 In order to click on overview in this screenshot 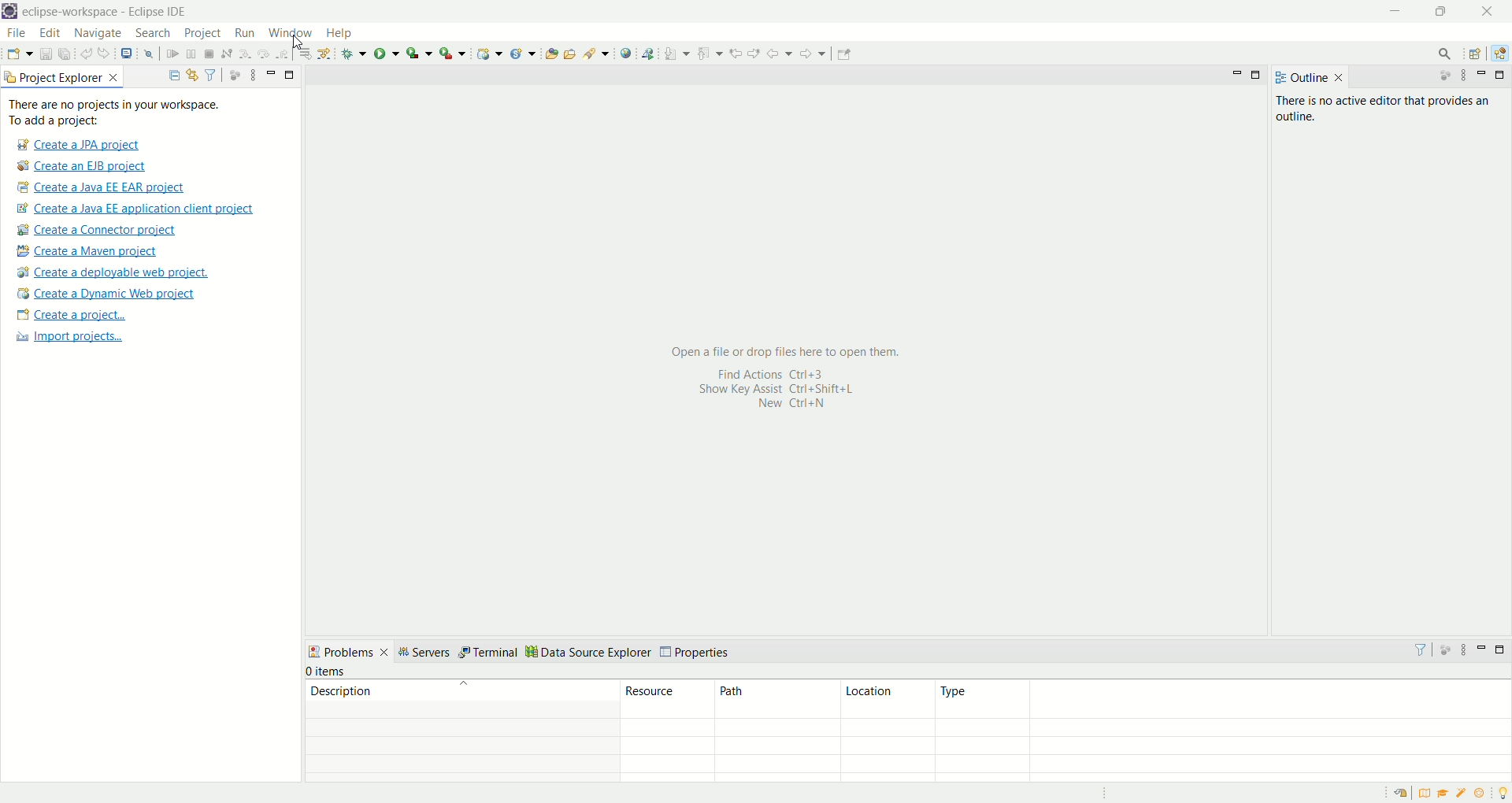, I will do `click(1428, 793)`.